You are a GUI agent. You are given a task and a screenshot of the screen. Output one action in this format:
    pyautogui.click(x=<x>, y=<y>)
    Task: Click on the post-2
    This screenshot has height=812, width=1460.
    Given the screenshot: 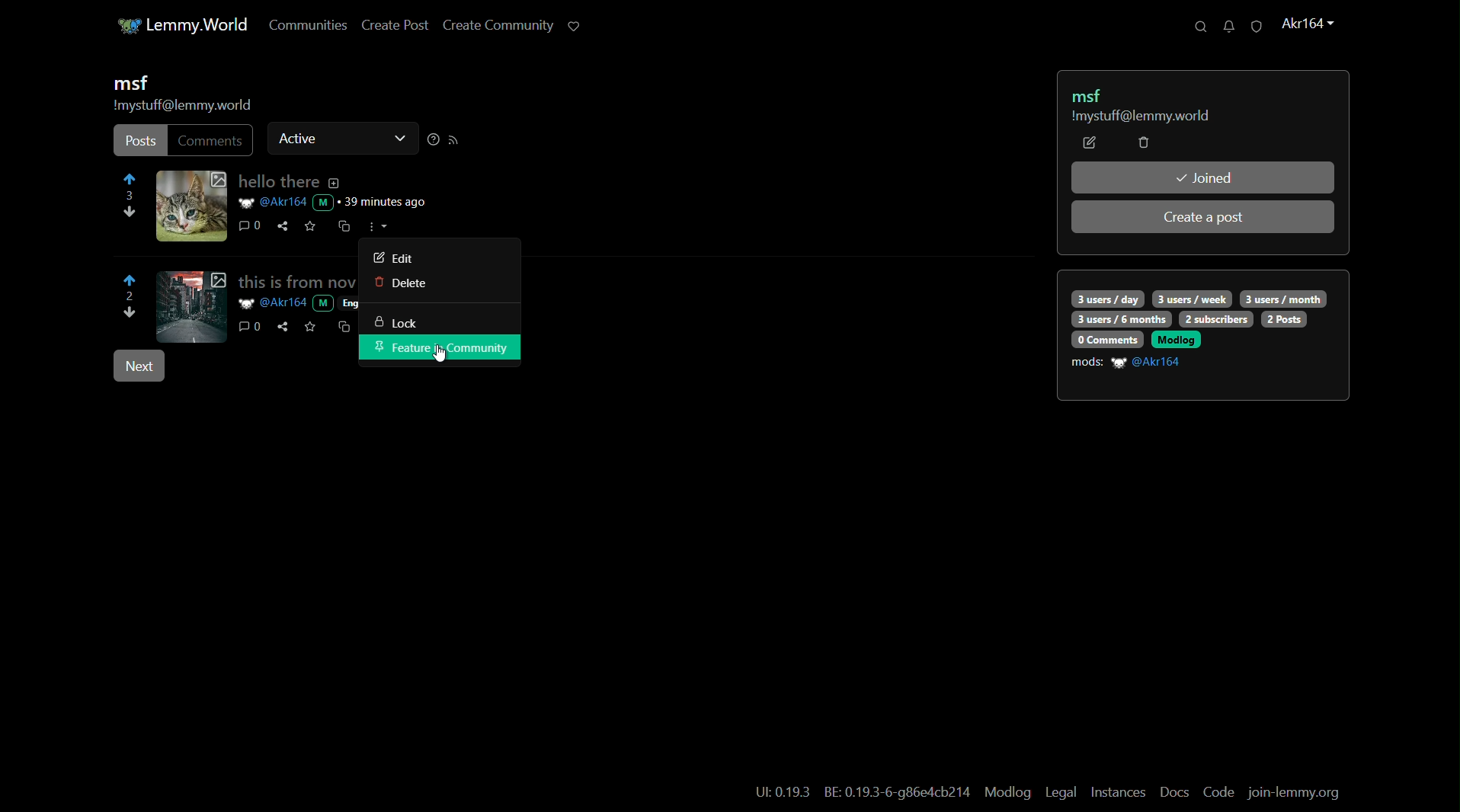 What is the action you would take?
    pyautogui.click(x=293, y=281)
    